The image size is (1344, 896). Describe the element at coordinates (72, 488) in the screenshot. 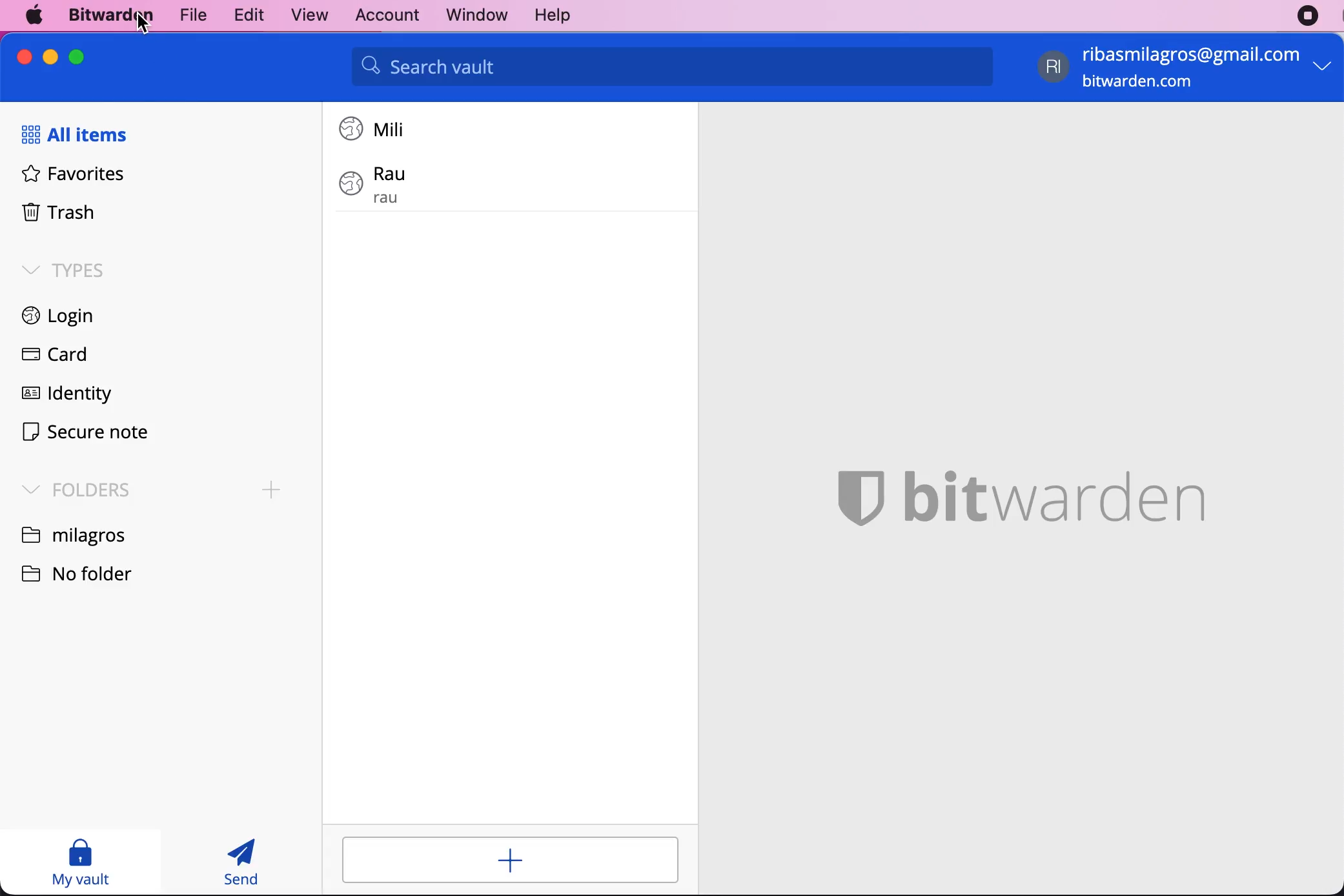

I see `folders` at that location.